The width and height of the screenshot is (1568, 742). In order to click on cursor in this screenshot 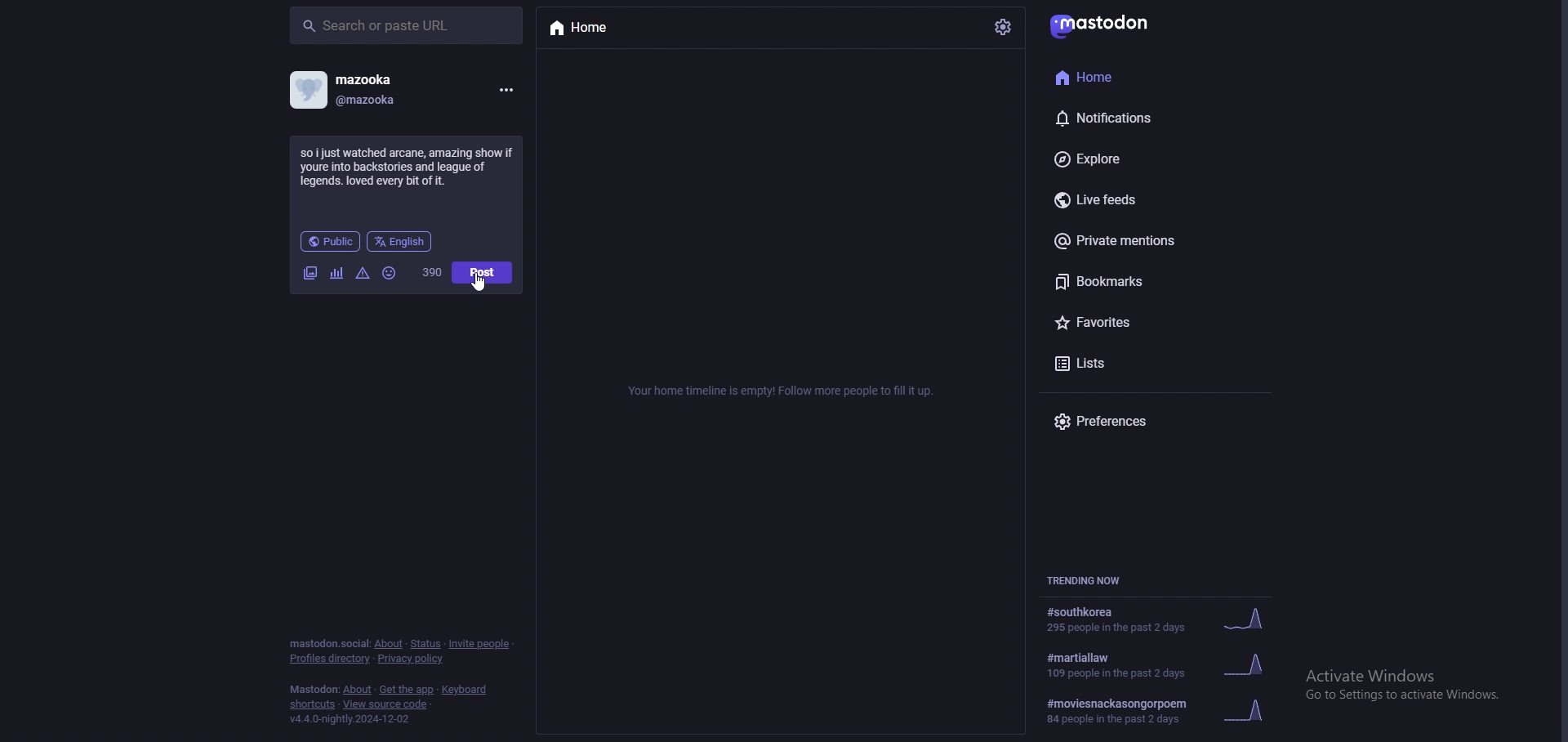, I will do `click(476, 280)`.